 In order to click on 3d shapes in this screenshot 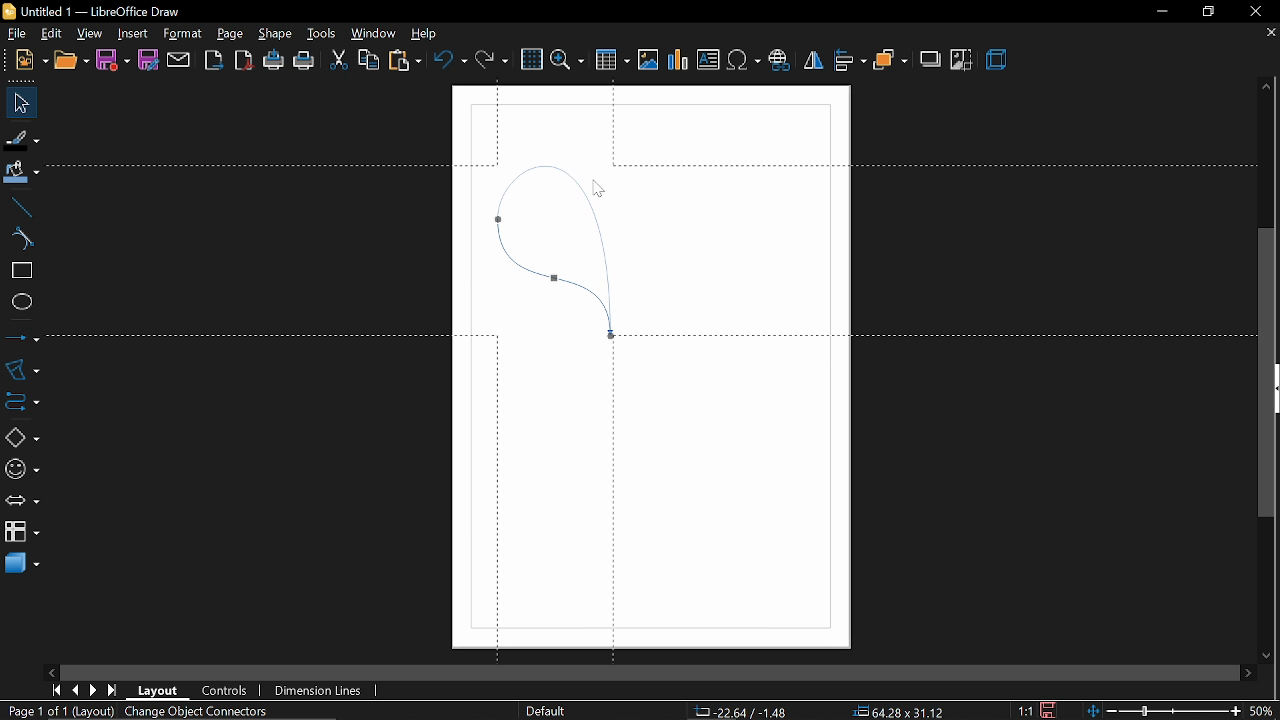, I will do `click(21, 566)`.